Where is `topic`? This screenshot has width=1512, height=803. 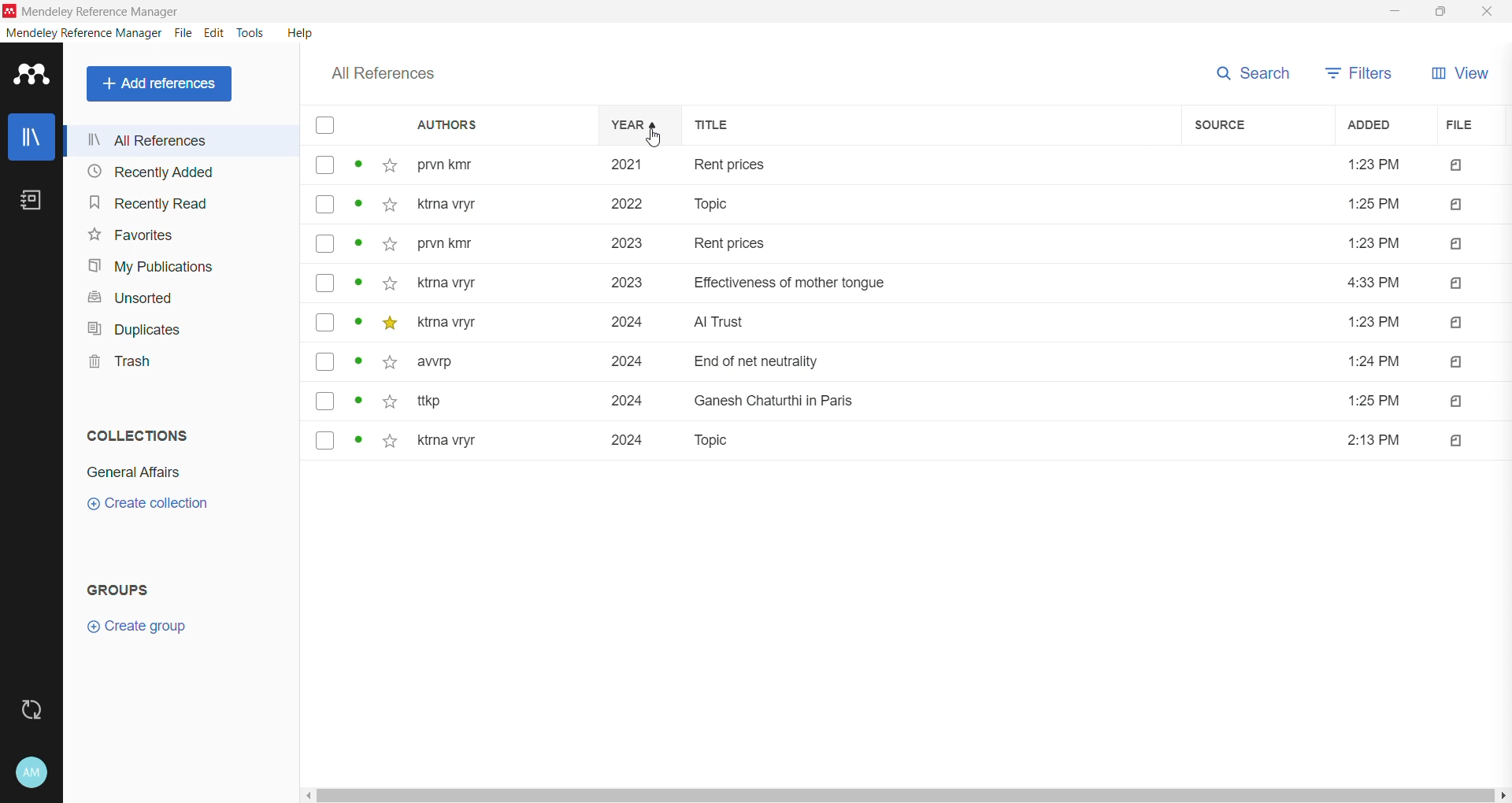 topic is located at coordinates (717, 440).